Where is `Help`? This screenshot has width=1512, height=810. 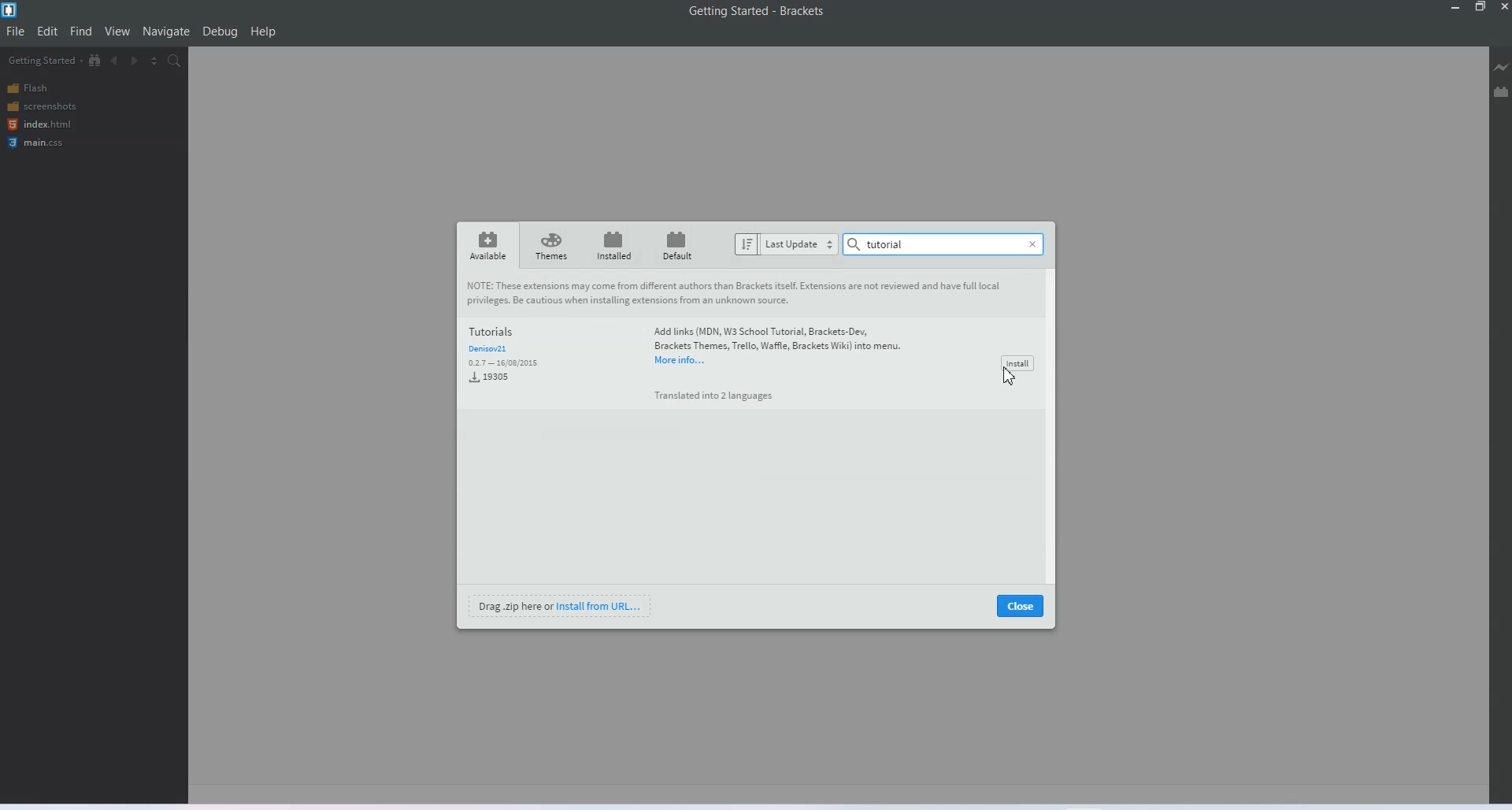
Help is located at coordinates (264, 32).